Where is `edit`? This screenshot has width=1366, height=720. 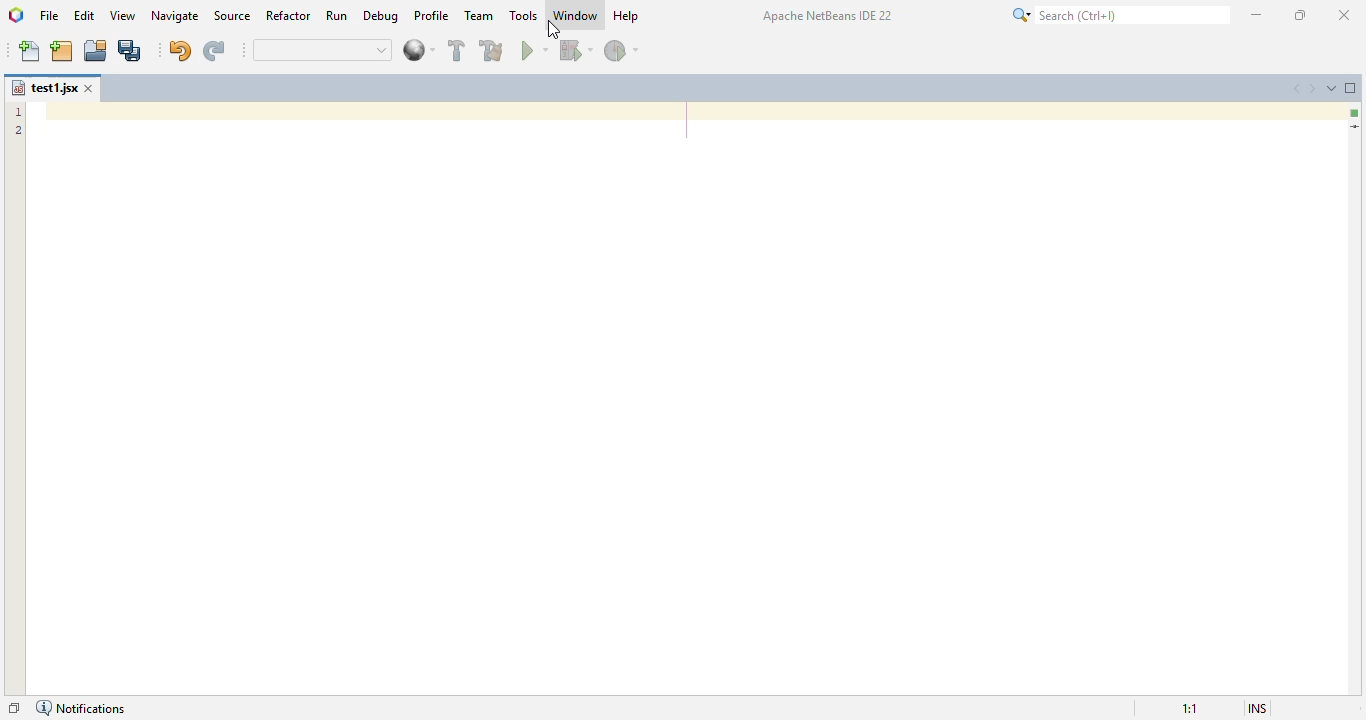
edit is located at coordinates (85, 15).